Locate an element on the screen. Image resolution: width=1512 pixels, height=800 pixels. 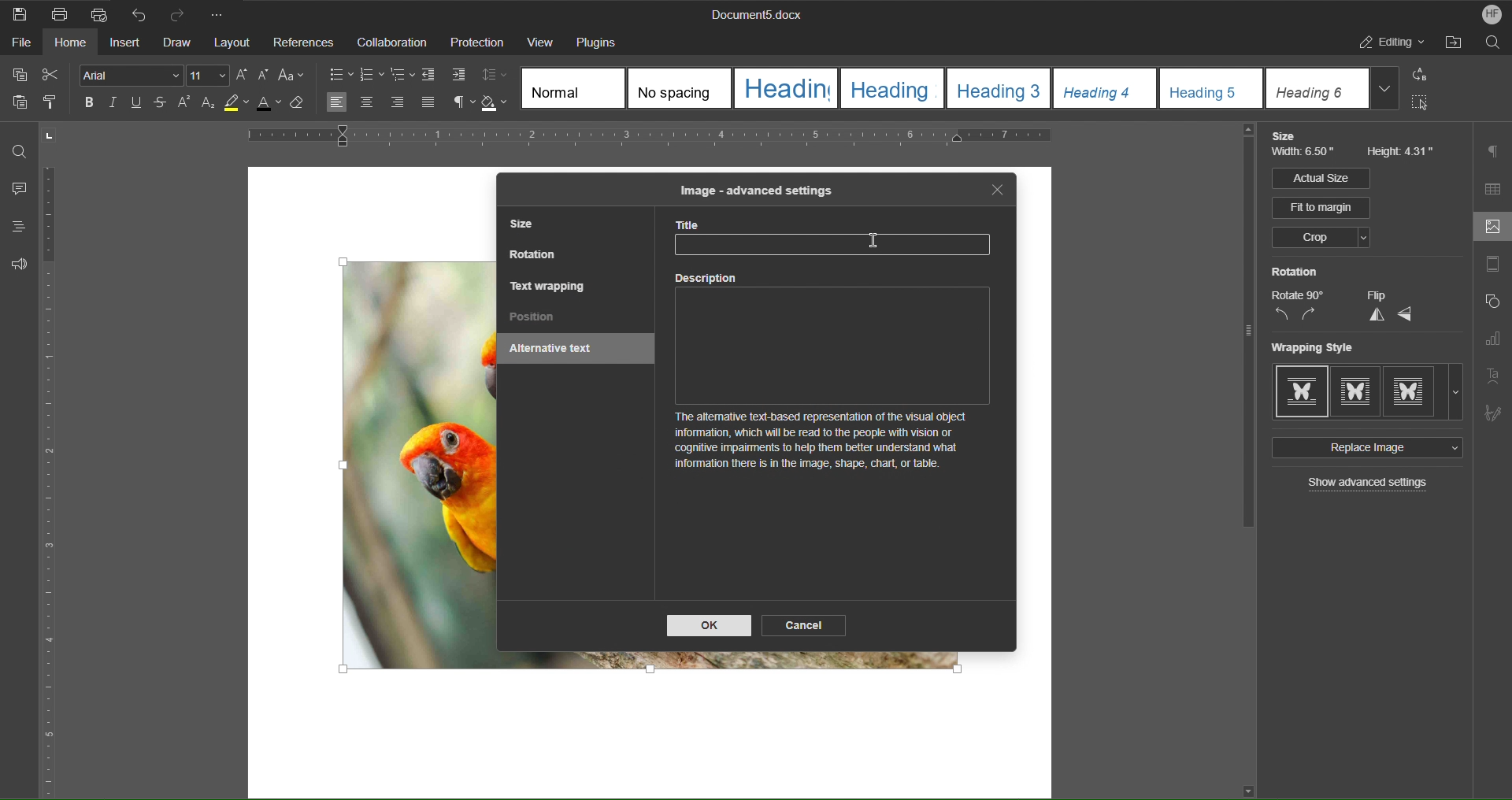
Feedback and Support is located at coordinates (19, 264).